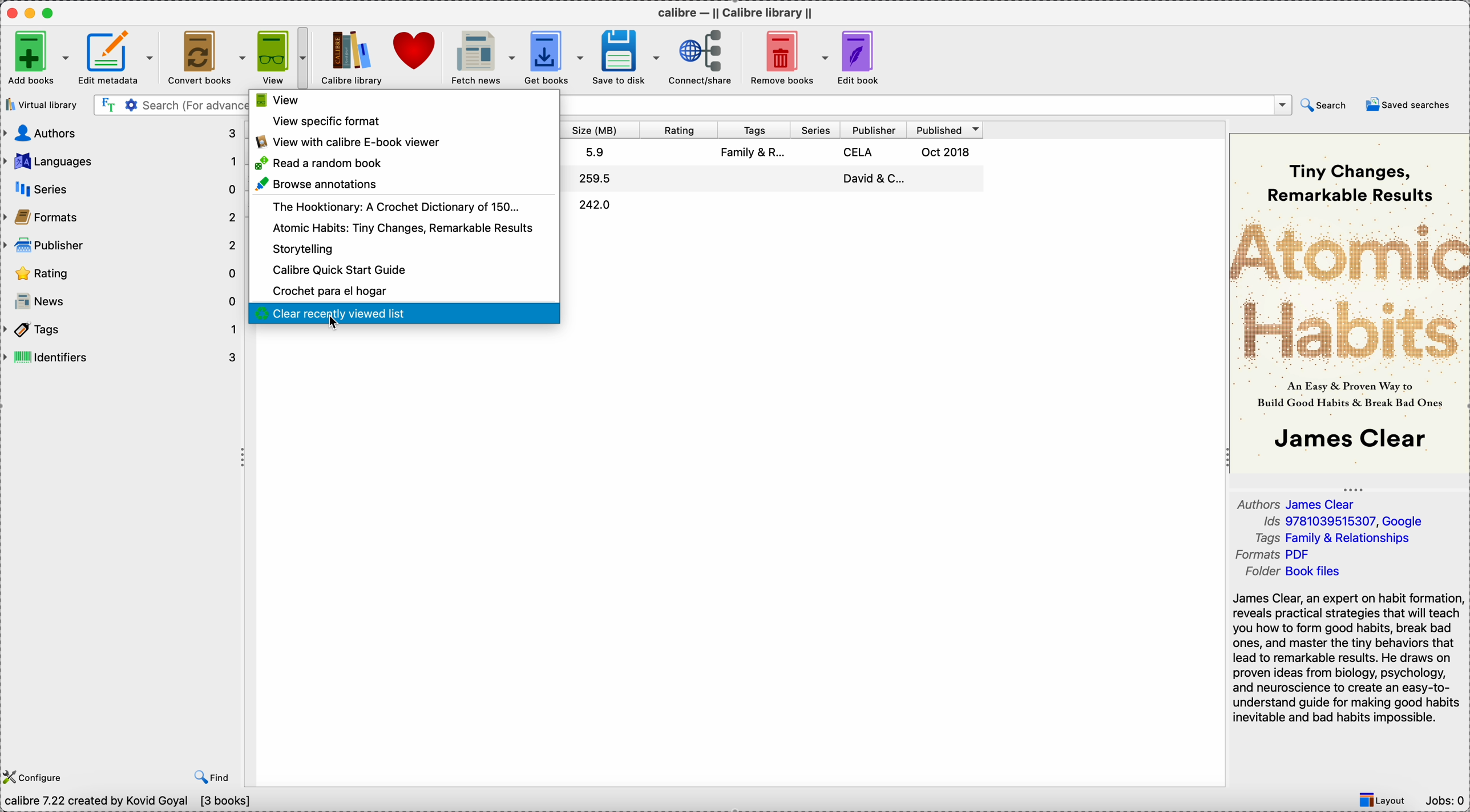  I want to click on view, so click(276, 100).